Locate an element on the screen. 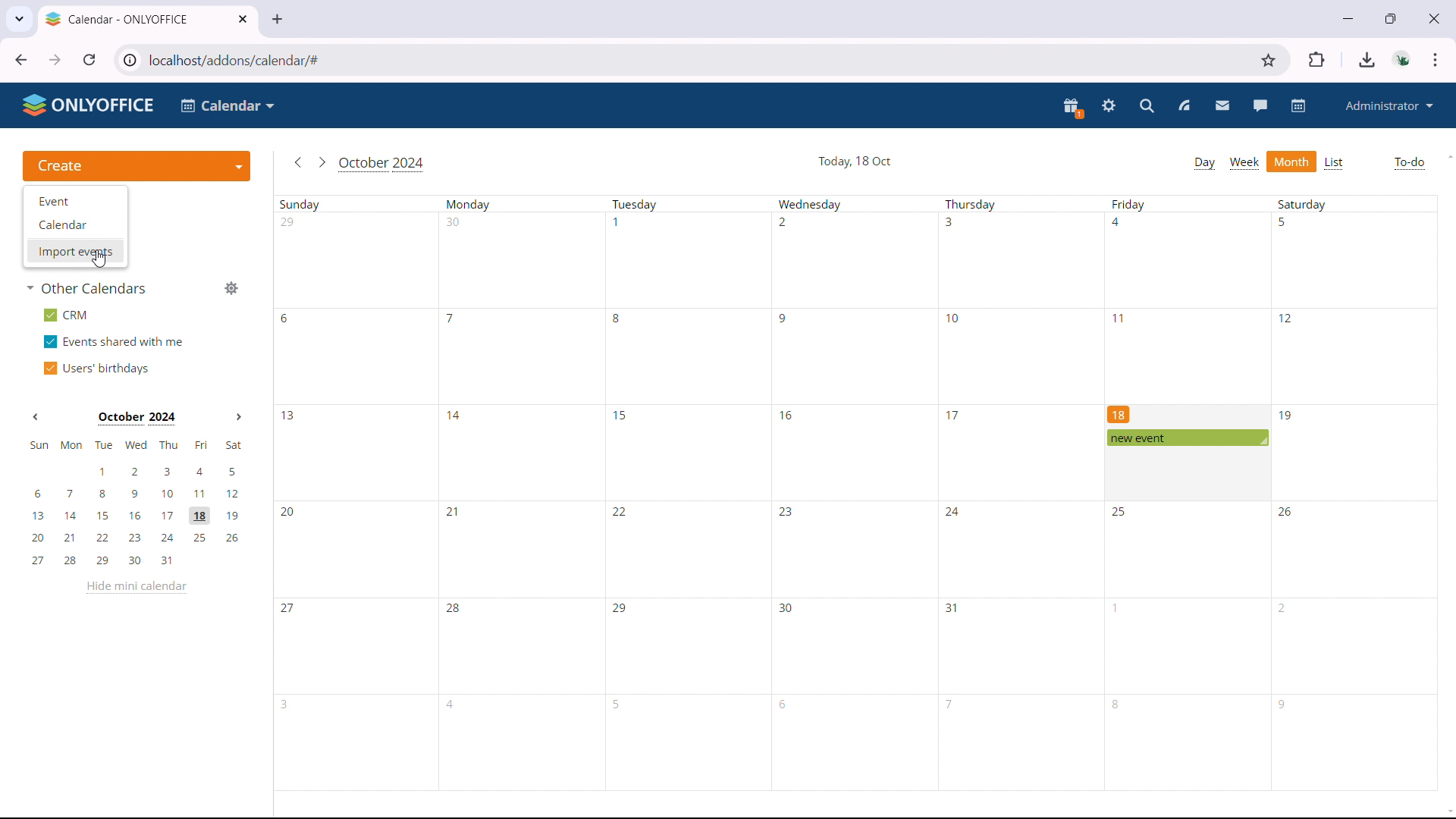  Monday is located at coordinates (469, 205).